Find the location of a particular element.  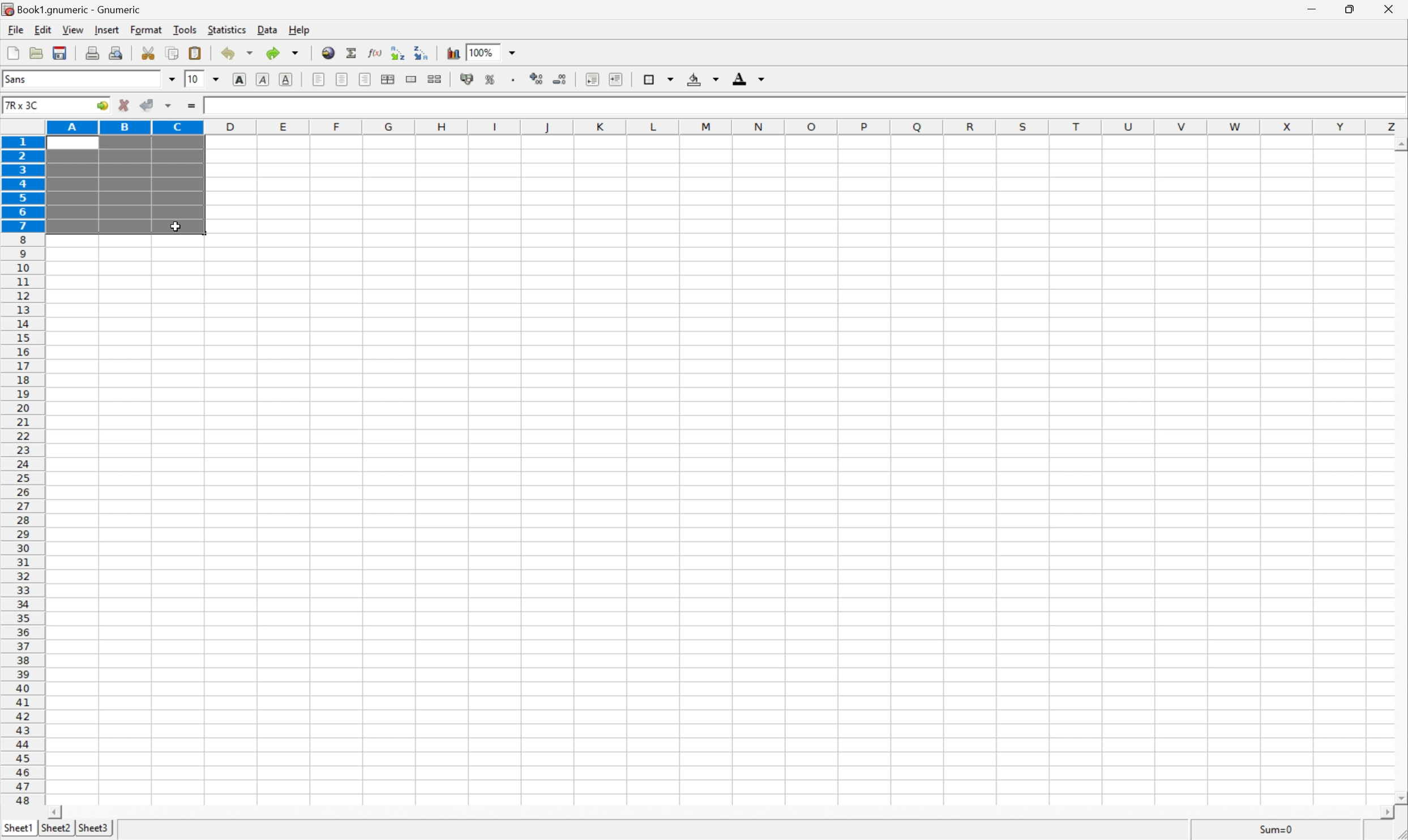

decrease number of decimals displayed is located at coordinates (560, 83).